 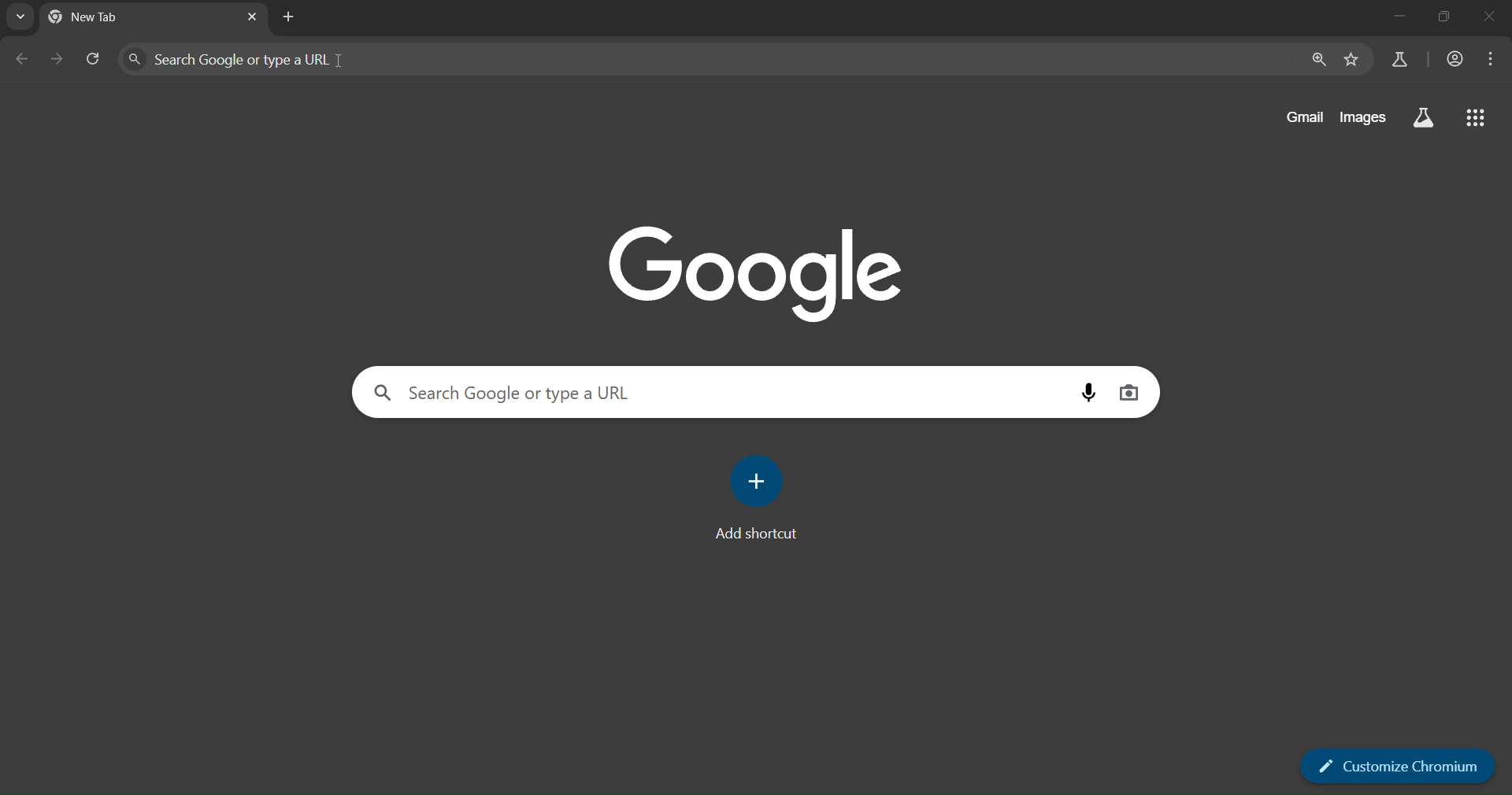 I want to click on go back one page, so click(x=24, y=60).